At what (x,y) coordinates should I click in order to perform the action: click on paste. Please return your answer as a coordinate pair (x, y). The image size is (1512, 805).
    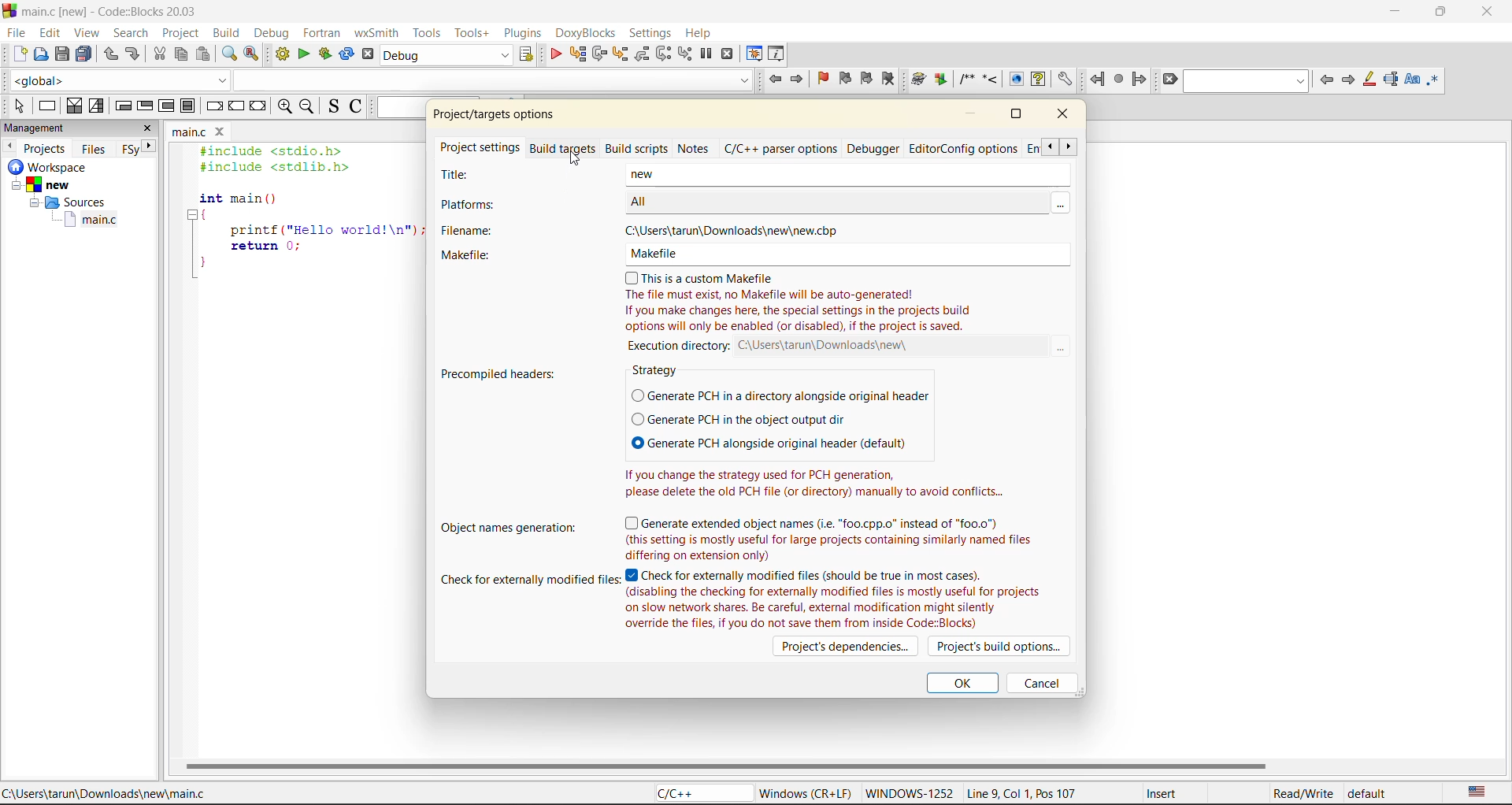
    Looking at the image, I should click on (206, 55).